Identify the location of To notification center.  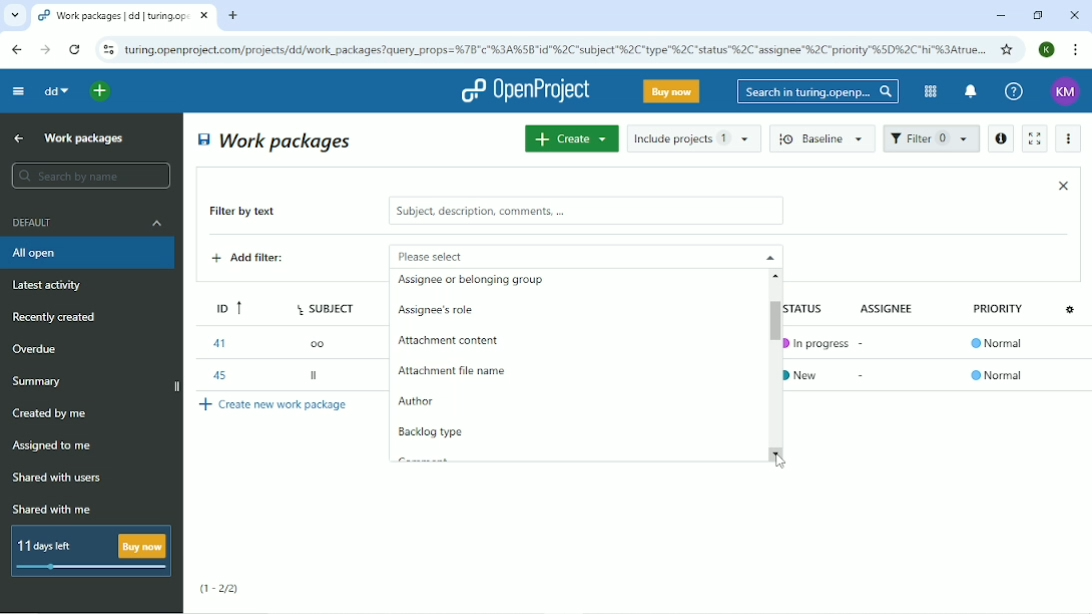
(969, 93).